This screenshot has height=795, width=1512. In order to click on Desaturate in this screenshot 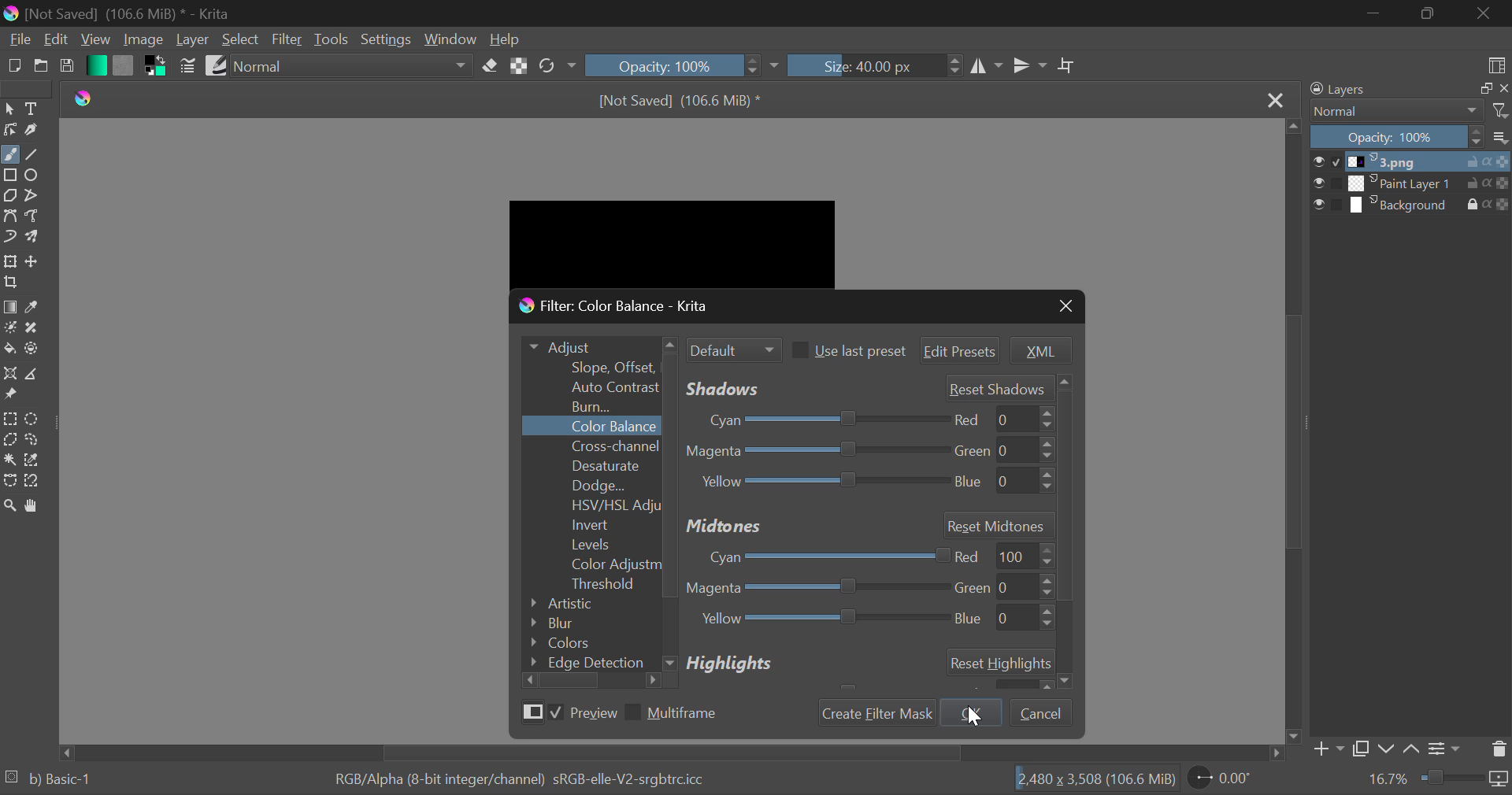, I will do `click(590, 466)`.